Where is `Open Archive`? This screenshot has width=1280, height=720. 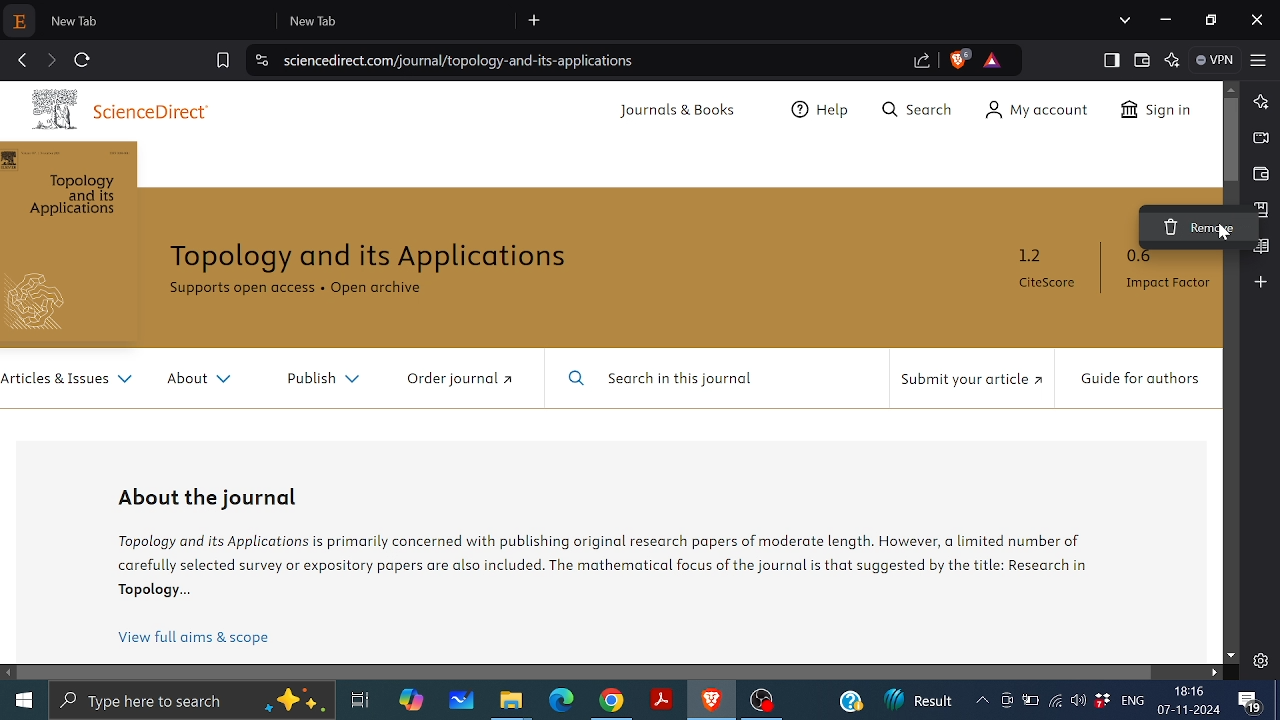
Open Archive is located at coordinates (385, 290).